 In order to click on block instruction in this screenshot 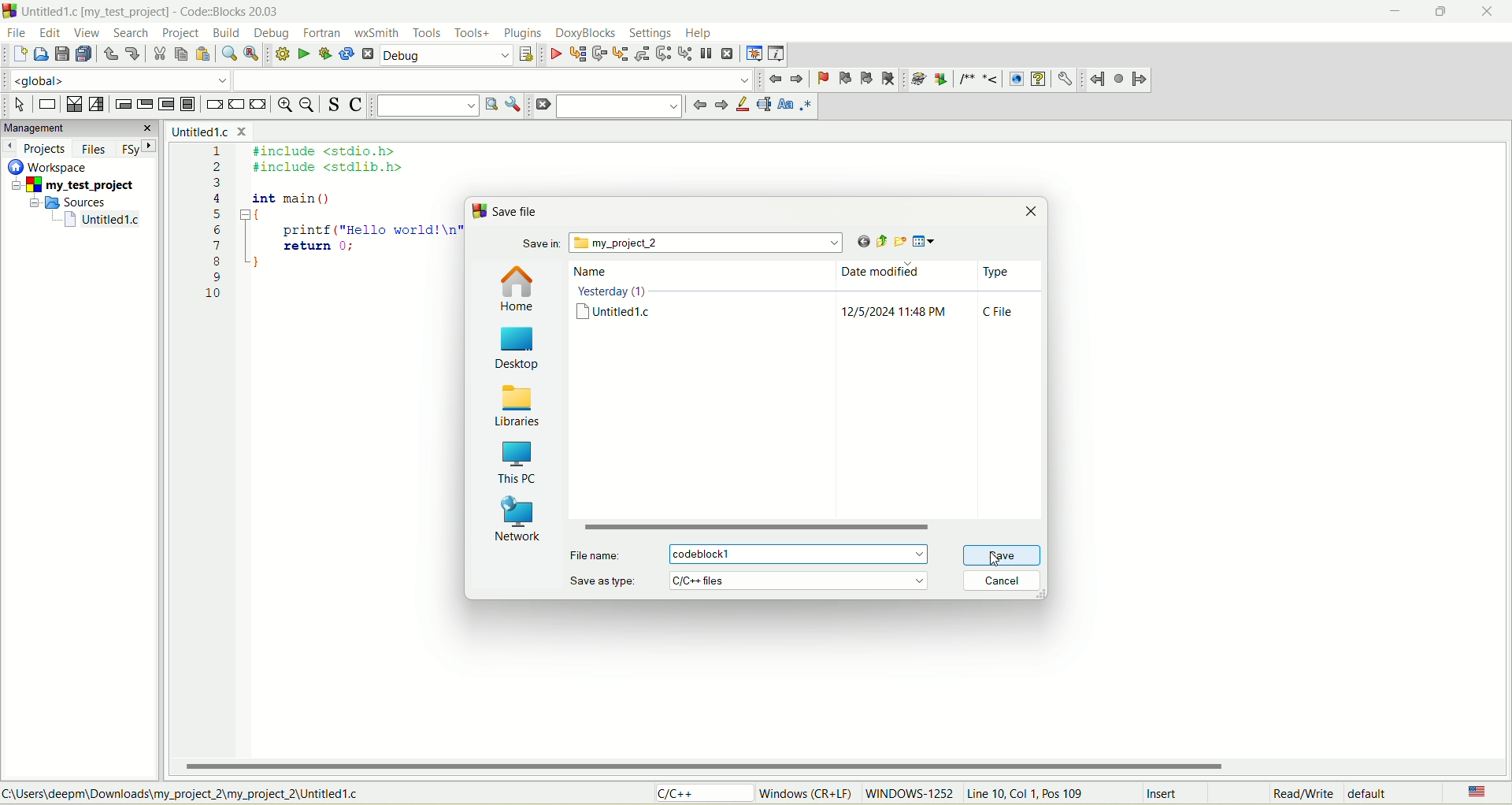, I will do `click(187, 105)`.